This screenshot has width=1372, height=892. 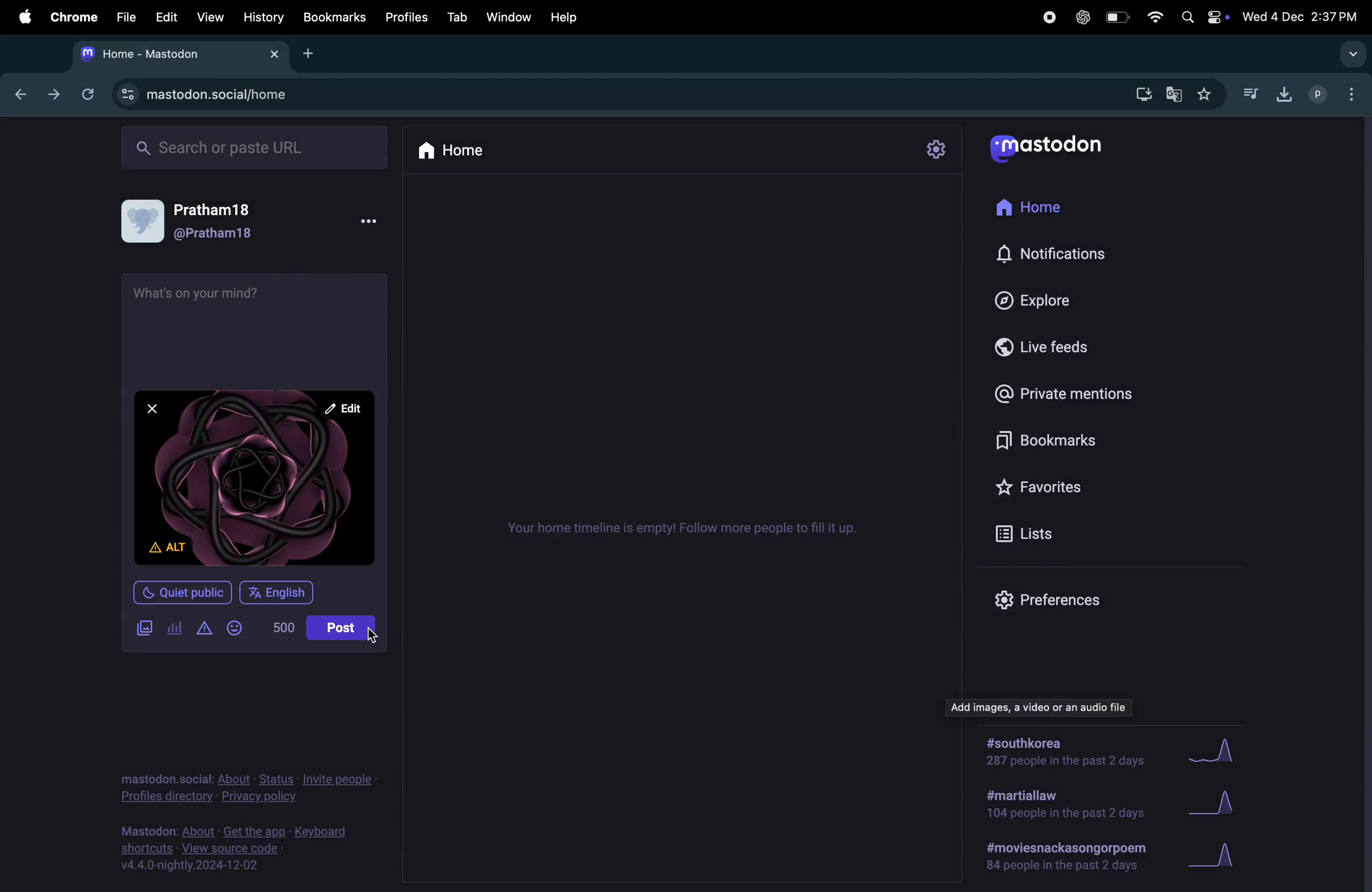 I want to click on translates, so click(x=1175, y=95).